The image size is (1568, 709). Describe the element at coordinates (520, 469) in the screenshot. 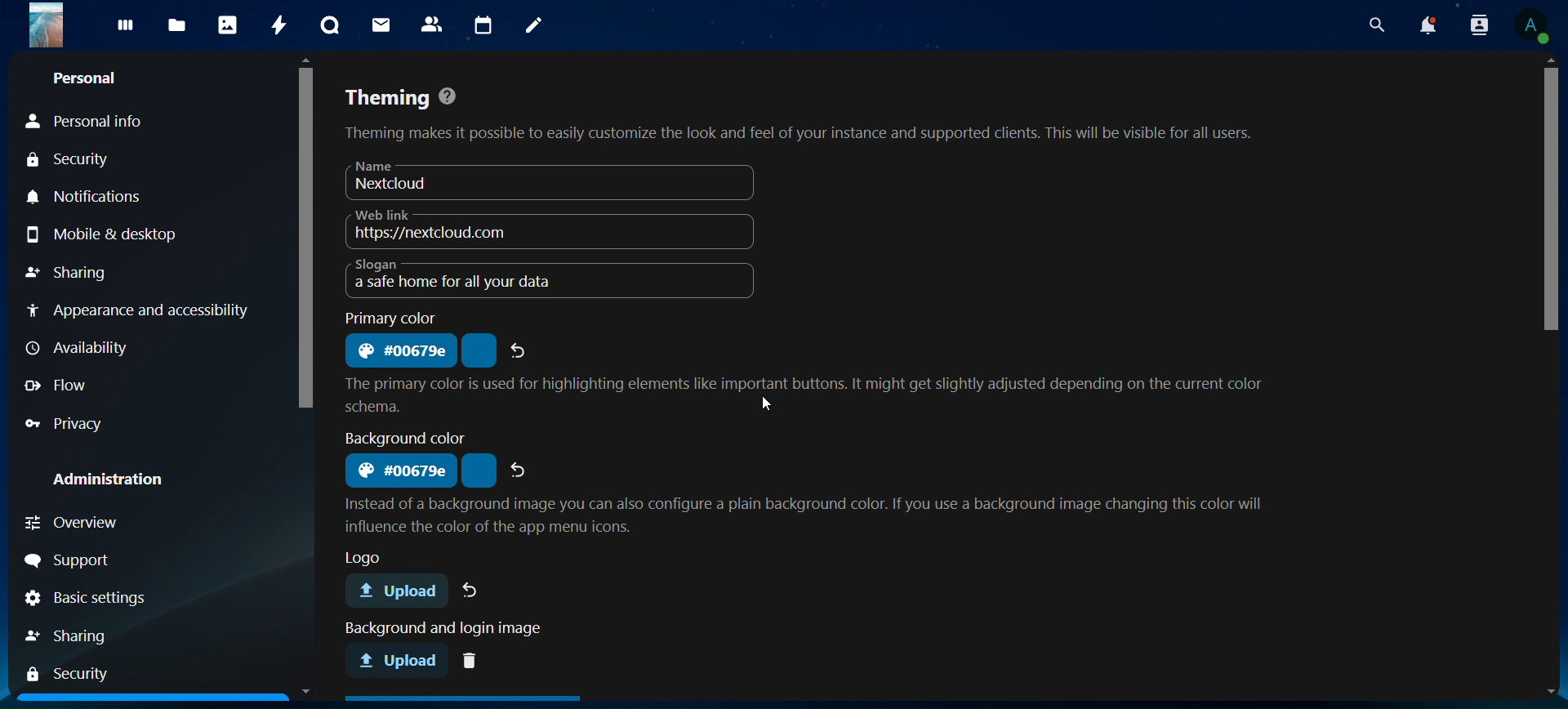

I see `refresh` at that location.